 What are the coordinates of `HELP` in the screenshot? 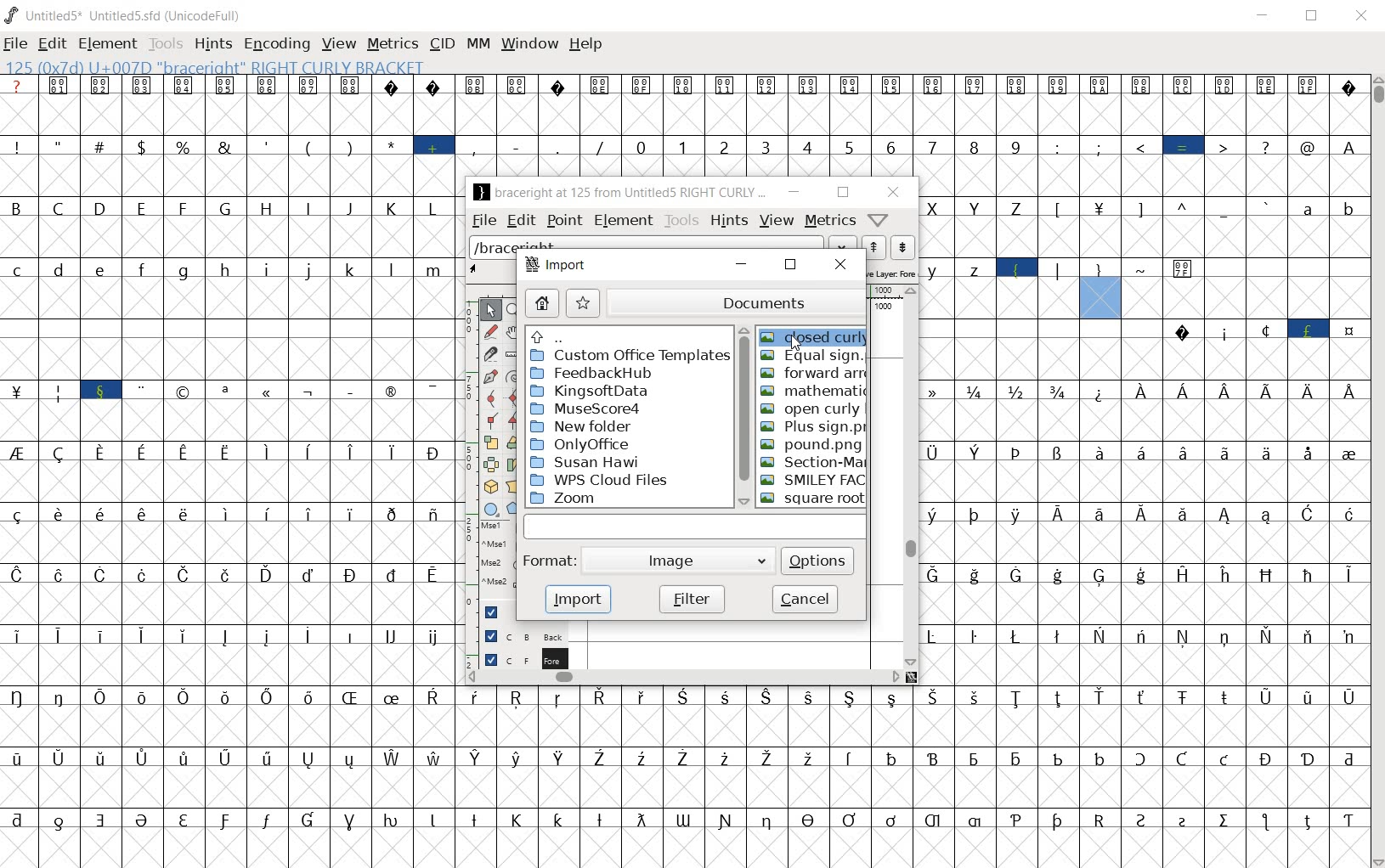 It's located at (586, 43).